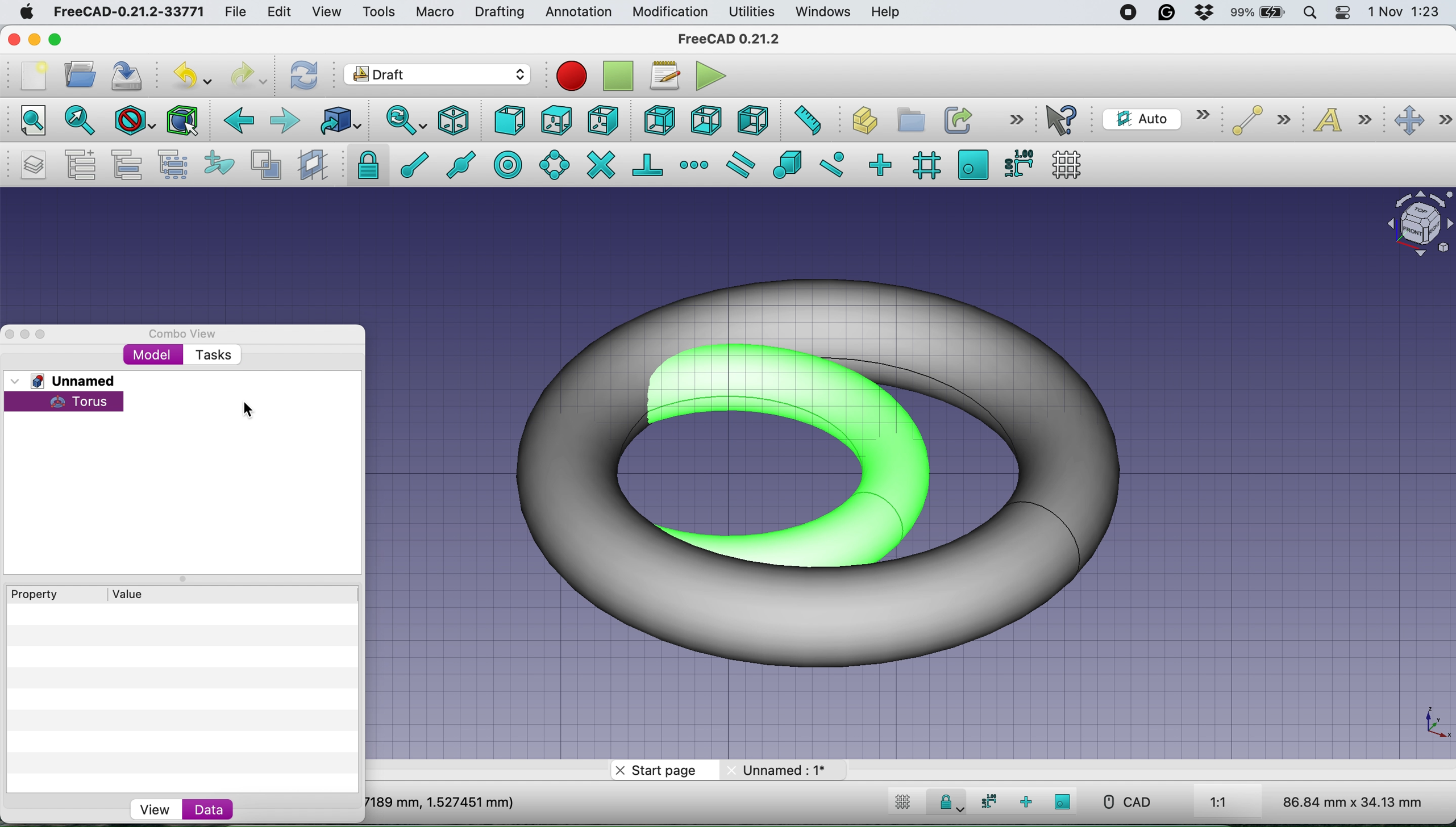 The width and height of the screenshot is (1456, 827). What do you see at coordinates (305, 76) in the screenshot?
I see `refresh` at bounding box center [305, 76].